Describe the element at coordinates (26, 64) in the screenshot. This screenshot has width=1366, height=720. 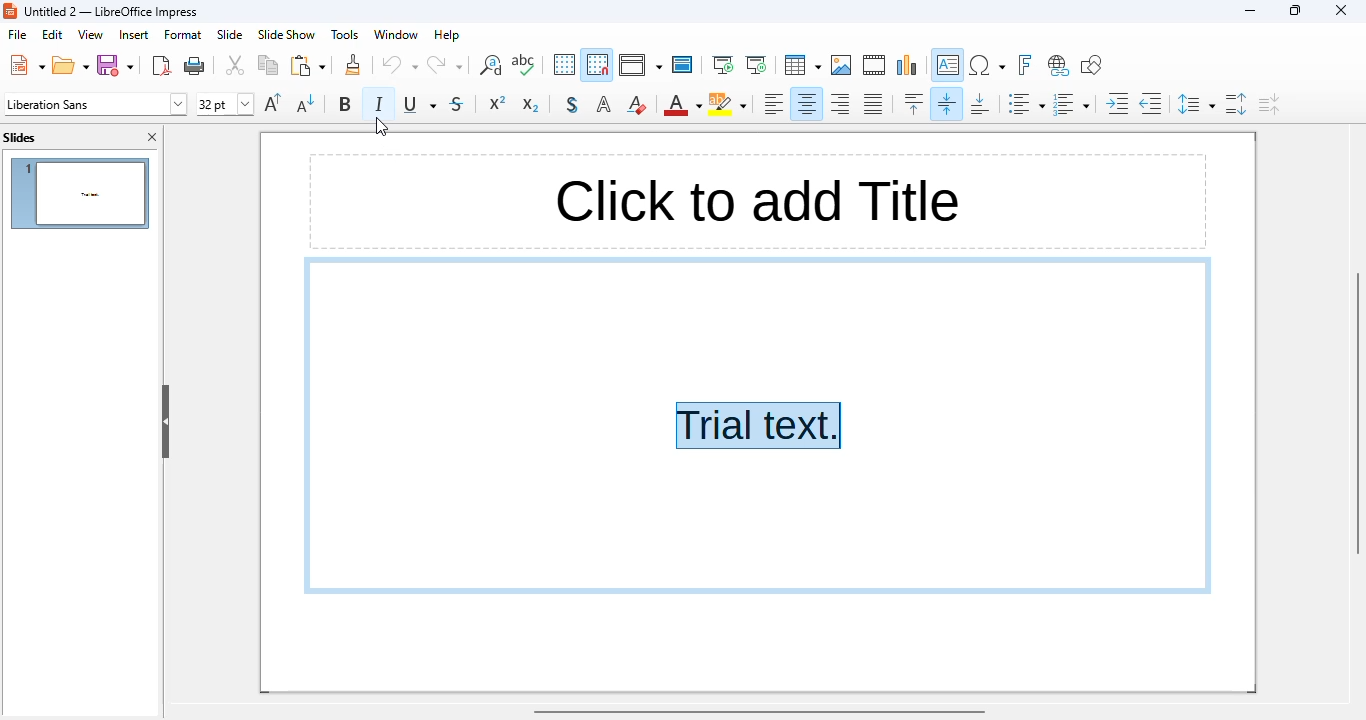
I see `new` at that location.